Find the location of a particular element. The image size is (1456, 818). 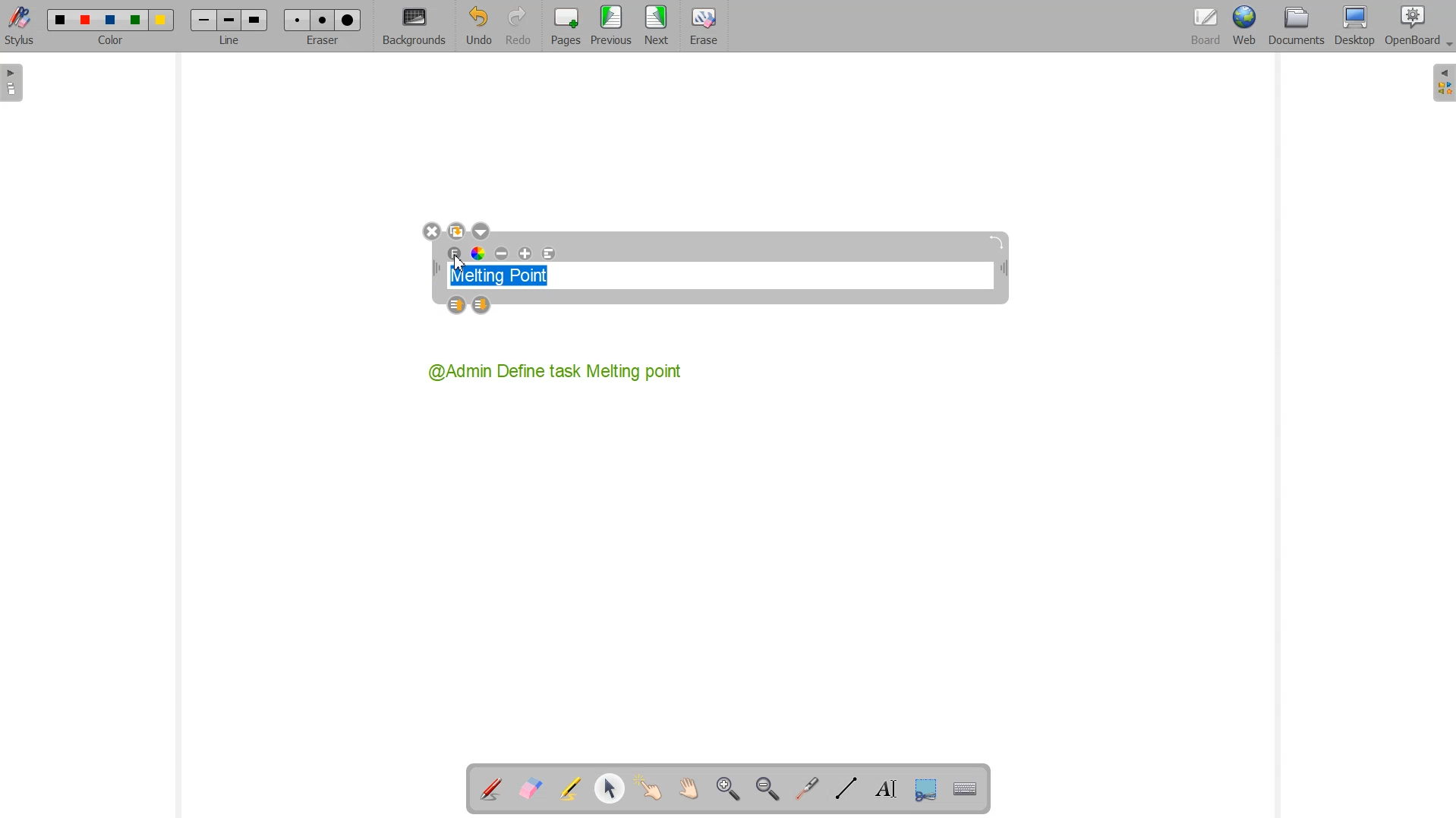

 is located at coordinates (611, 27).